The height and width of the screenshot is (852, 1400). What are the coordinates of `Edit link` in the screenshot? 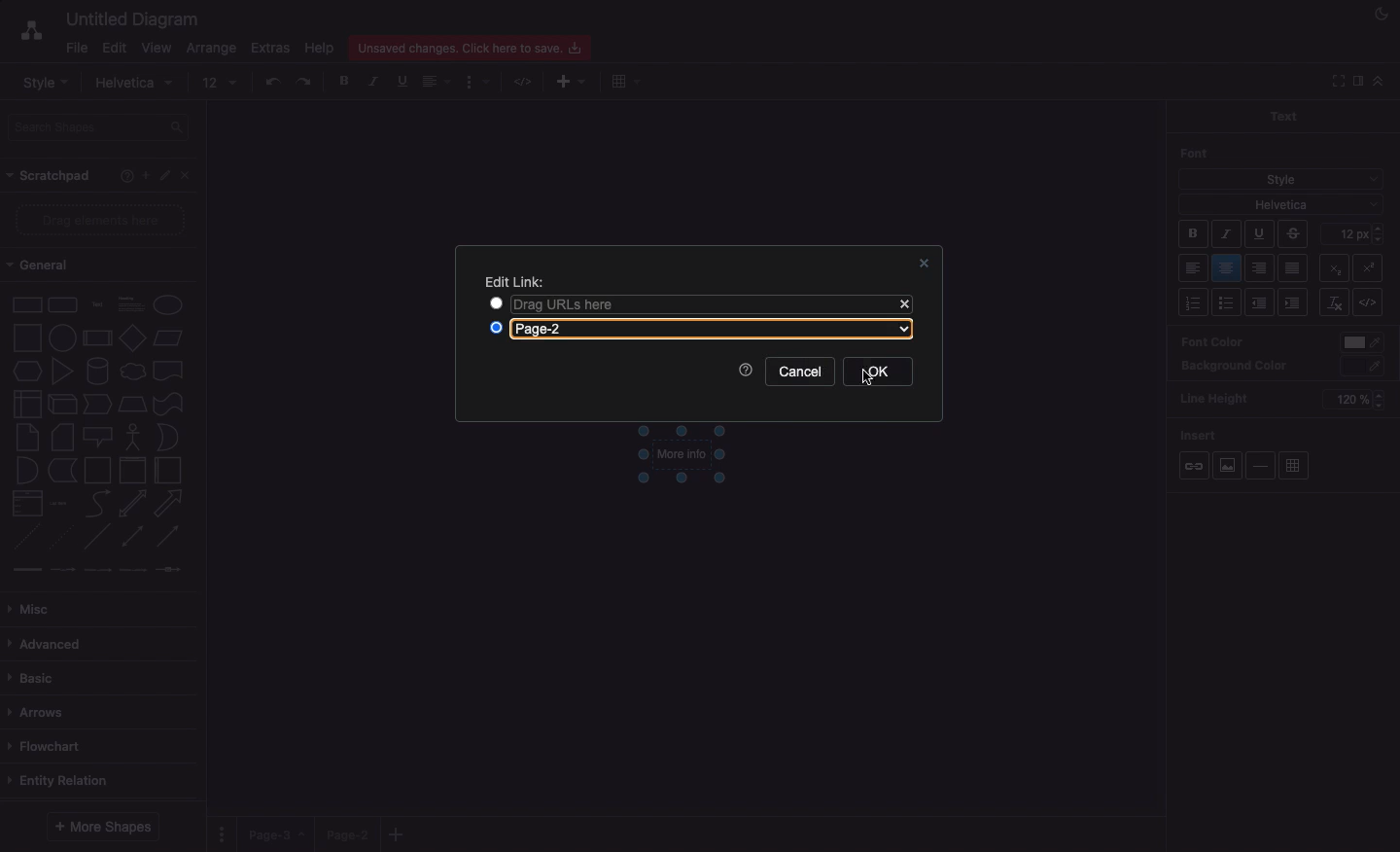 It's located at (515, 282).